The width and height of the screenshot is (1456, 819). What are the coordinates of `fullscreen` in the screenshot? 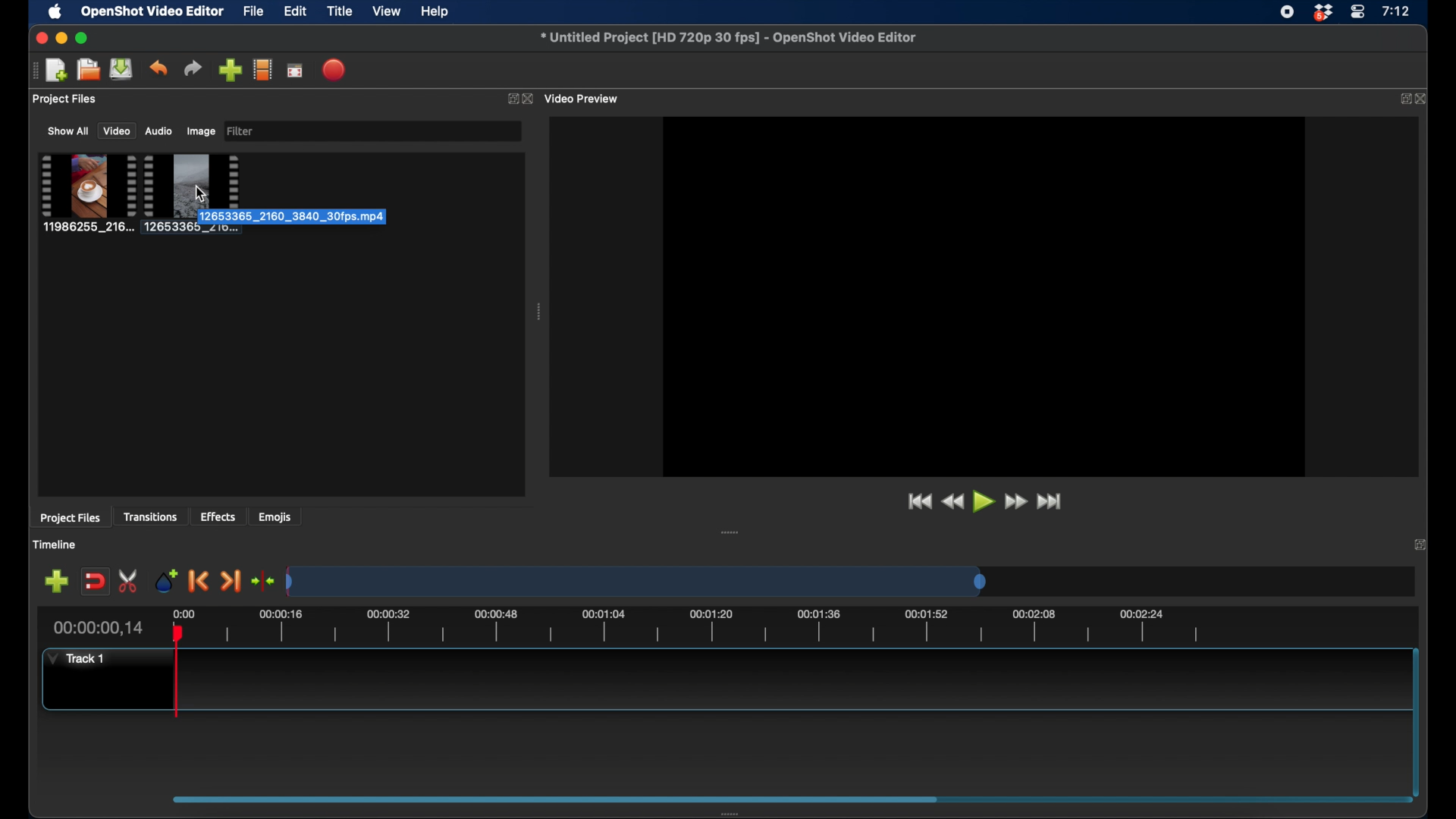 It's located at (296, 70).